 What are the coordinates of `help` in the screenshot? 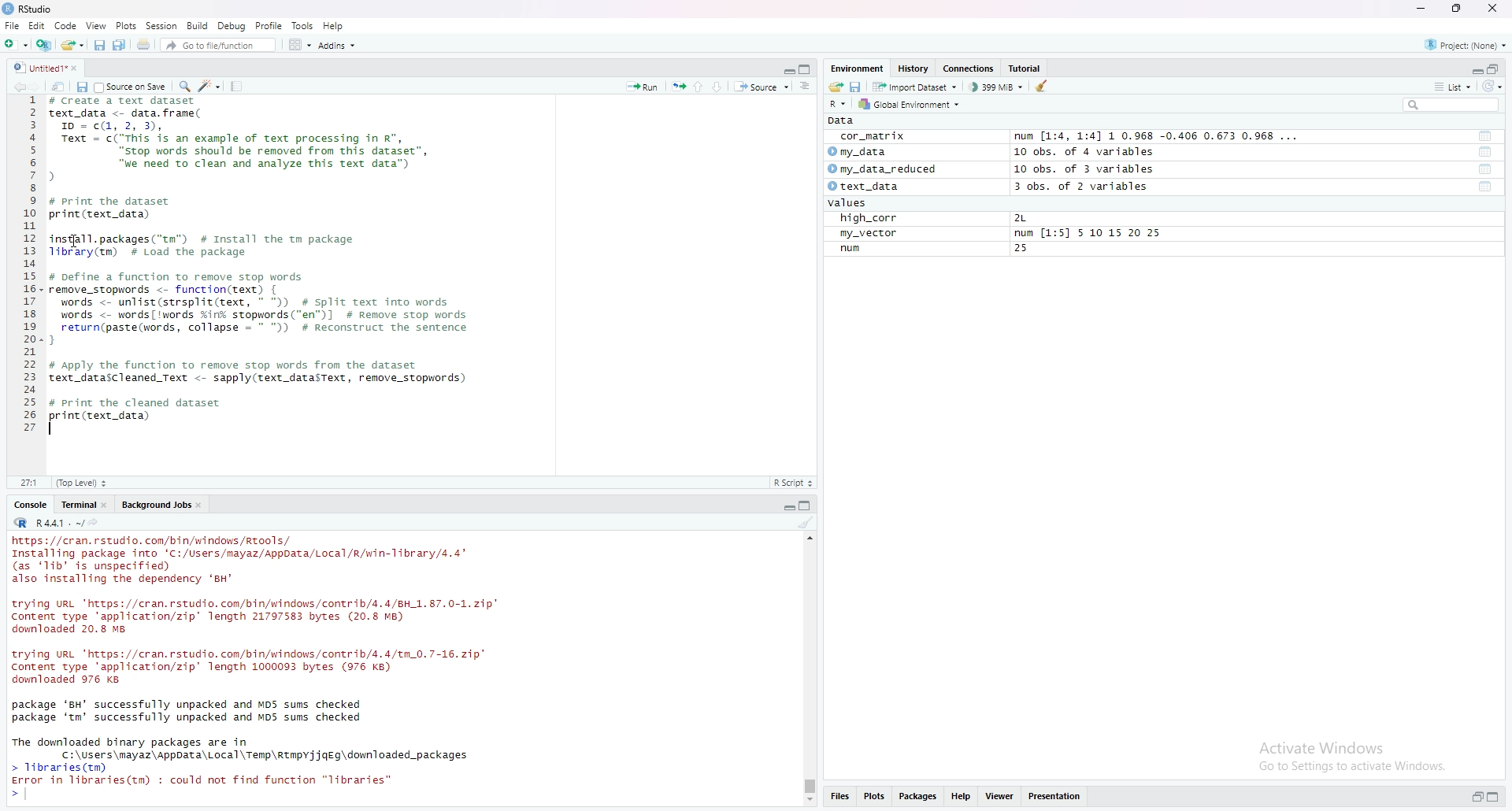 It's located at (960, 796).